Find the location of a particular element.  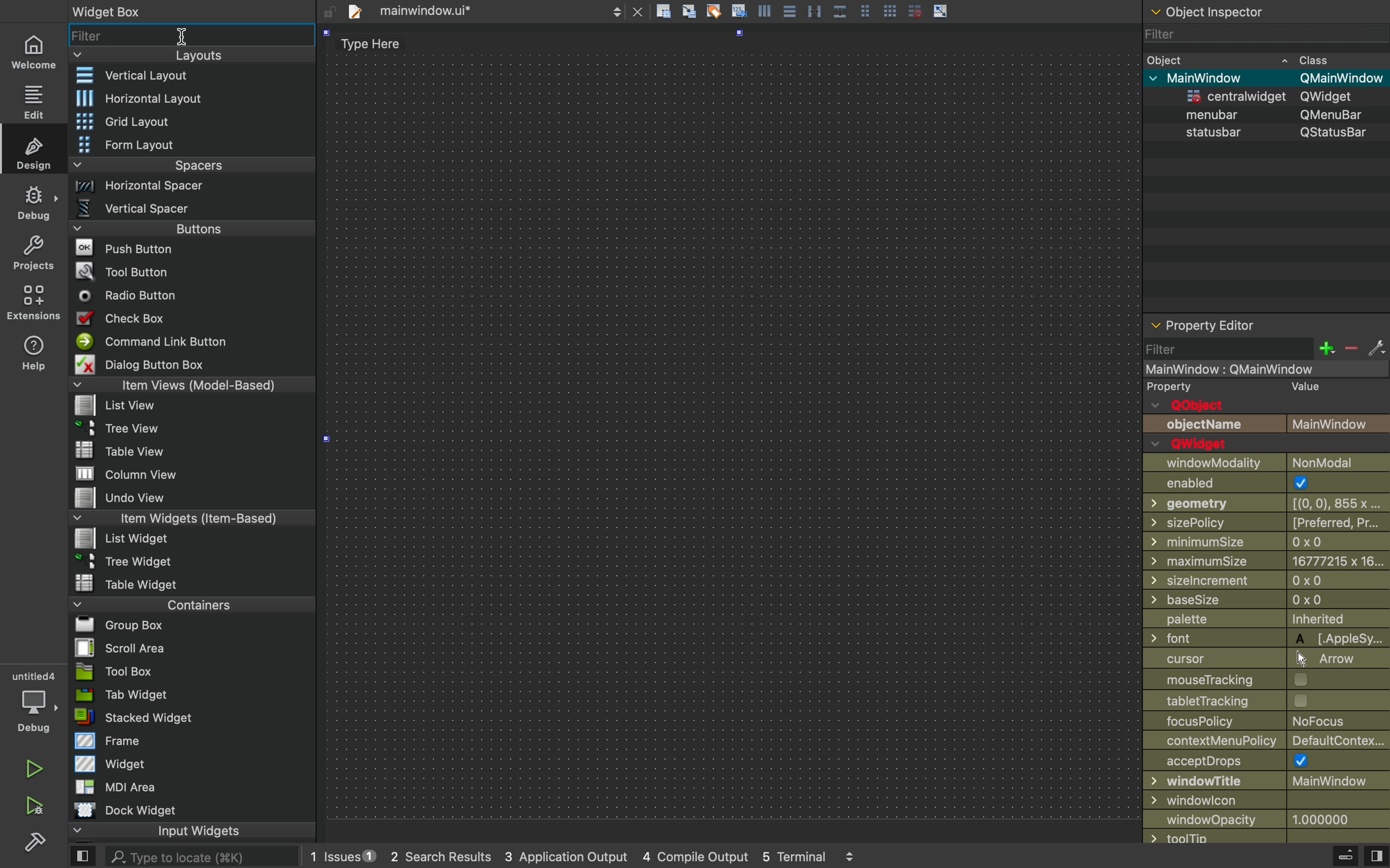

status bar is located at coordinates (1267, 133).